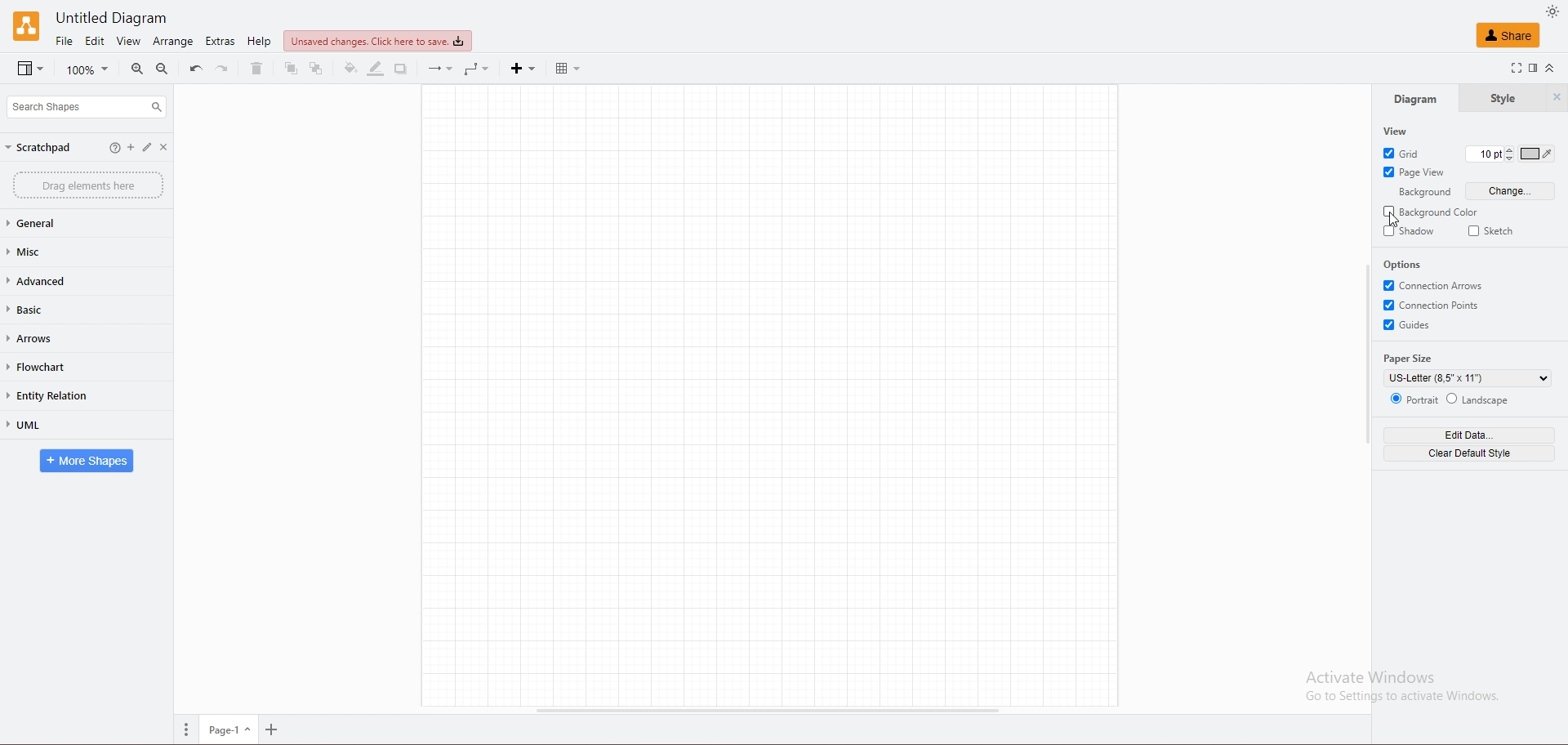 This screenshot has width=1568, height=745. What do you see at coordinates (1510, 149) in the screenshot?
I see `increase grid pt` at bounding box center [1510, 149].